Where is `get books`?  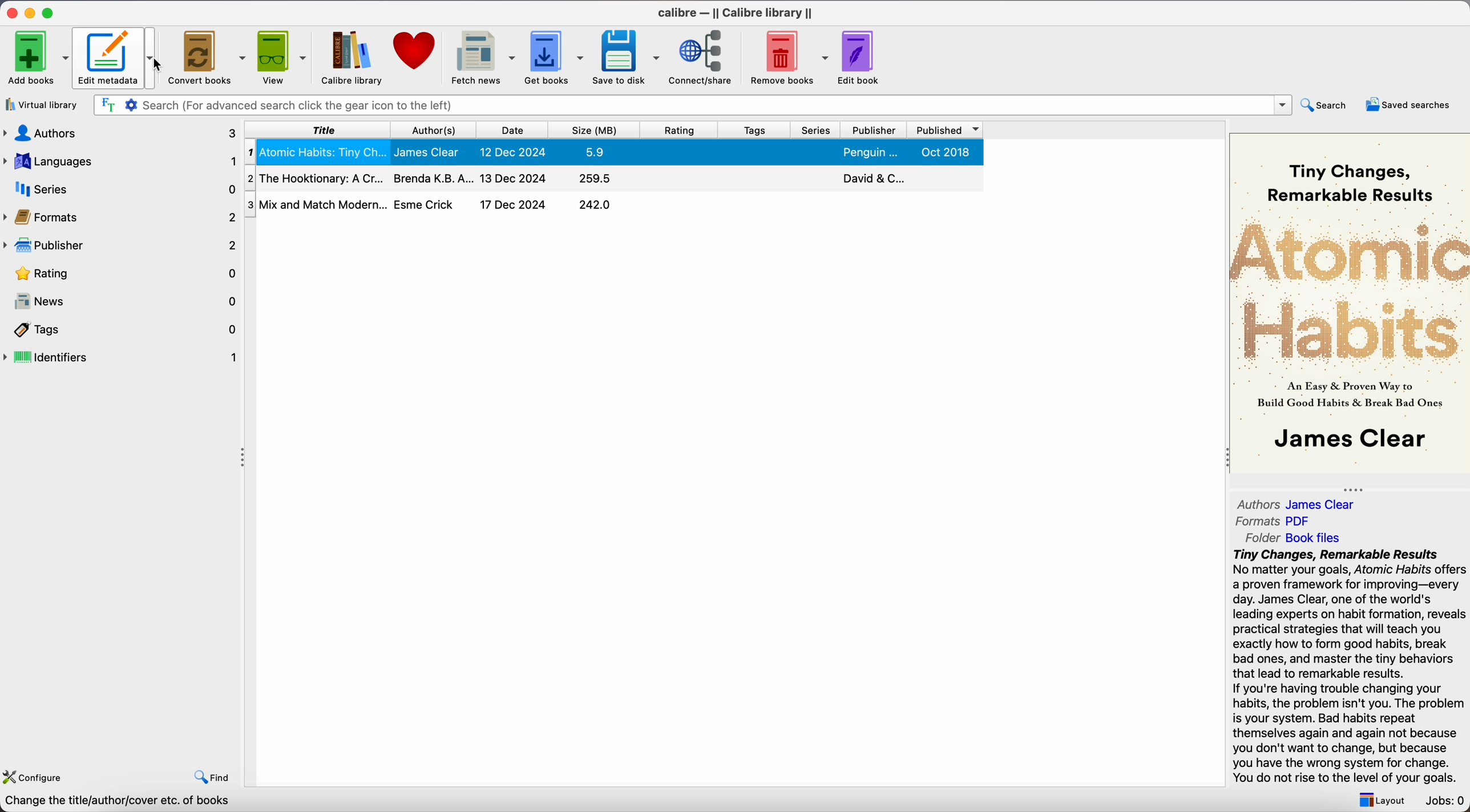 get books is located at coordinates (555, 58).